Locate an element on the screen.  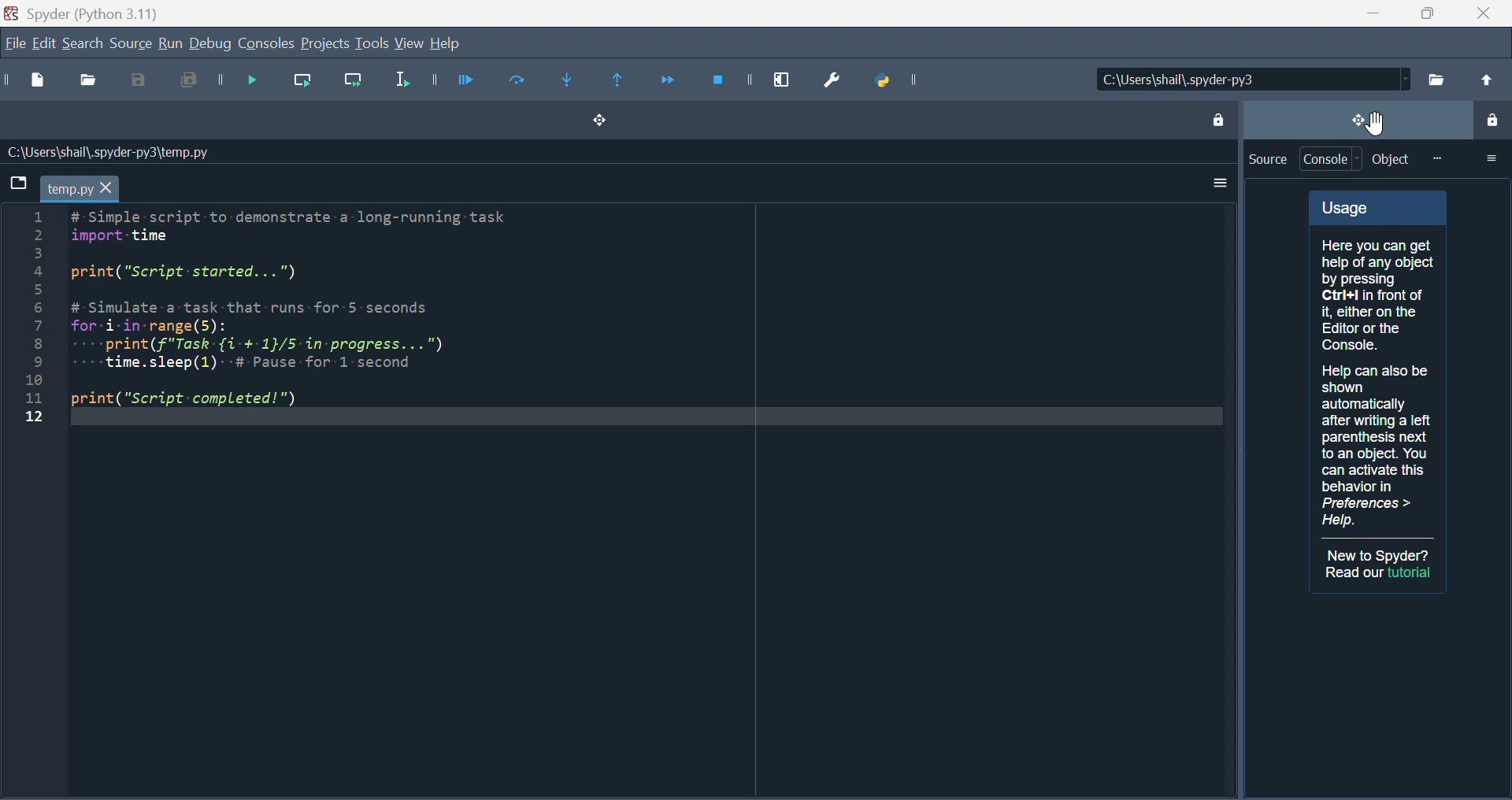
open file is located at coordinates (91, 83).